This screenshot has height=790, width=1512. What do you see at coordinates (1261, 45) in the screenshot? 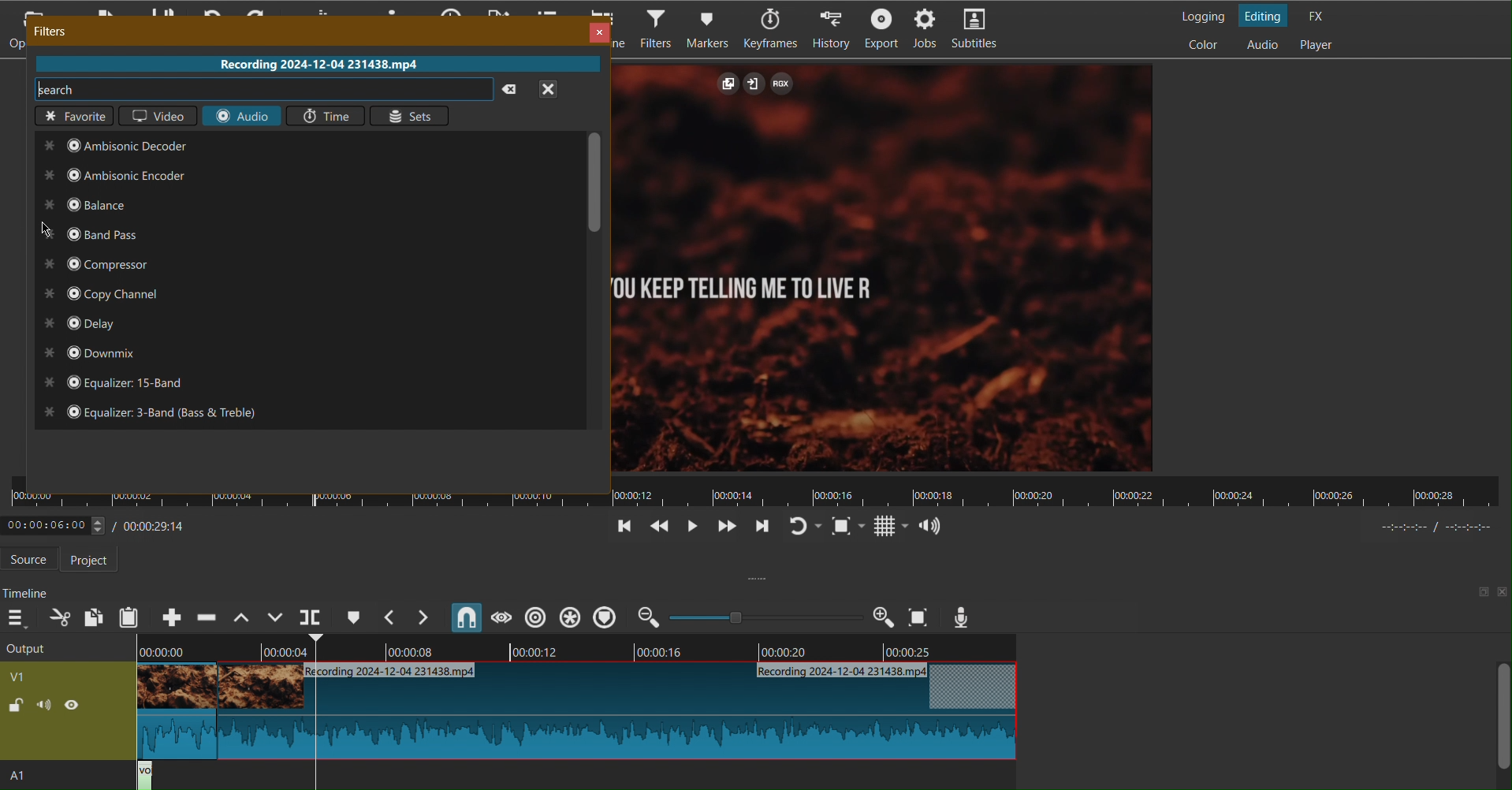
I see `Audio` at bounding box center [1261, 45].